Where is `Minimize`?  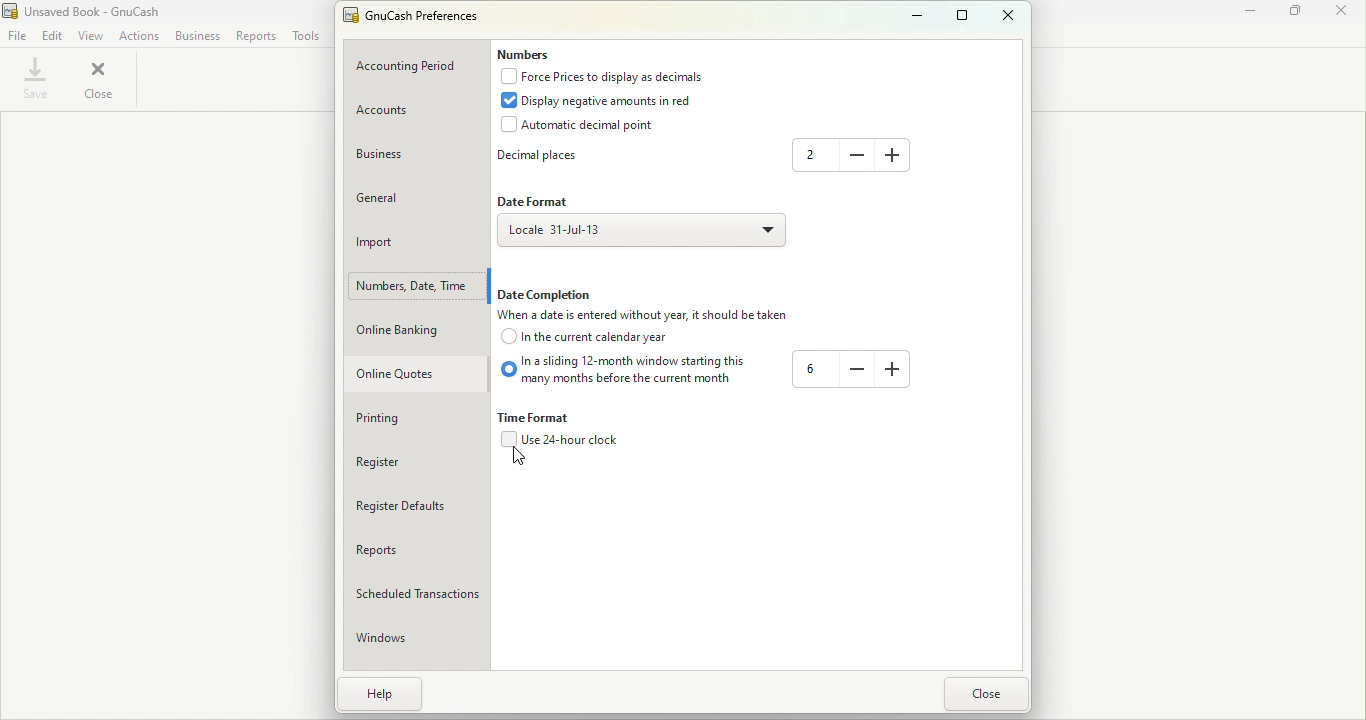 Minimize is located at coordinates (1241, 13).